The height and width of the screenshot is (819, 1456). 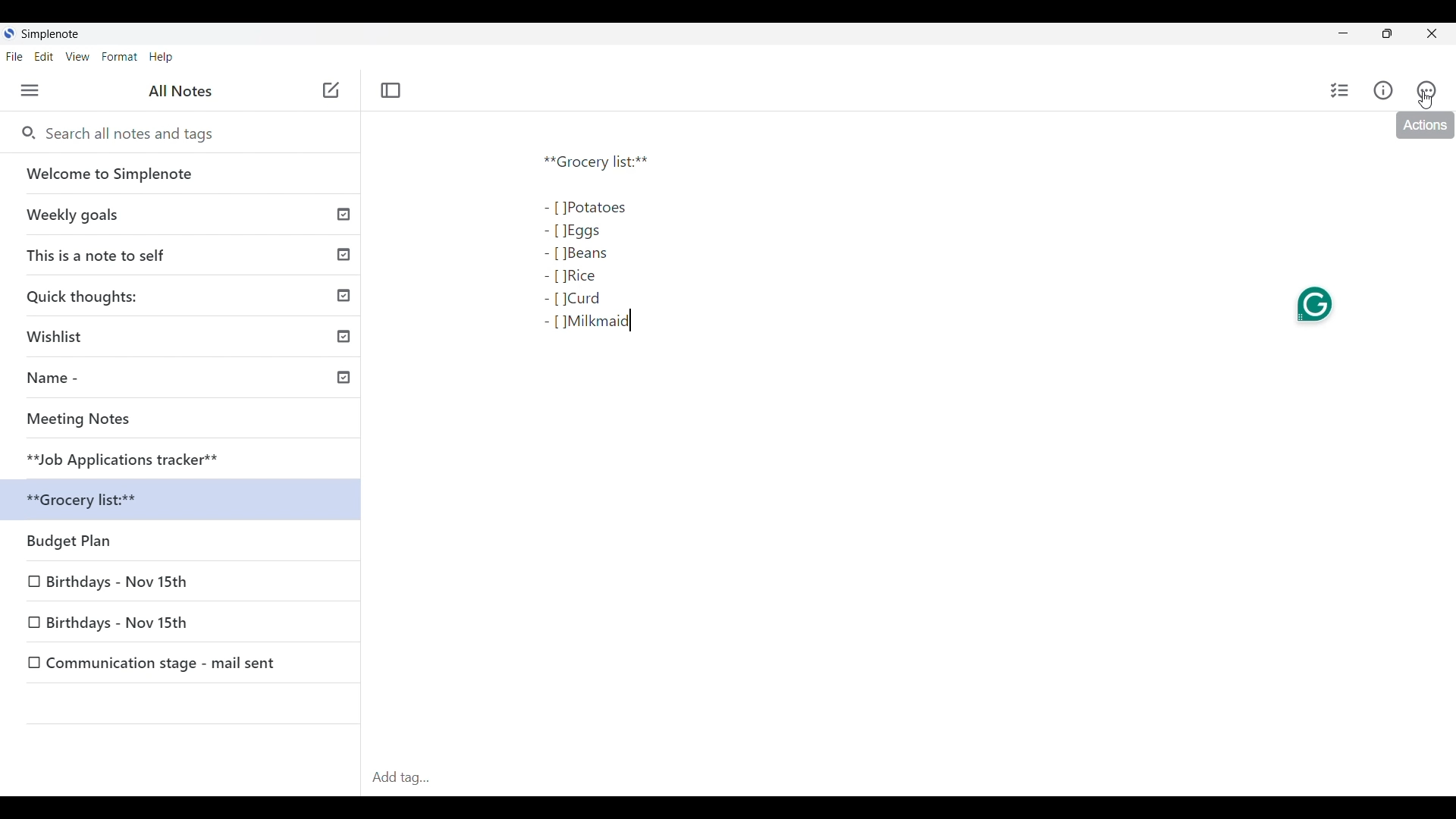 I want to click on Info, so click(x=1383, y=90).